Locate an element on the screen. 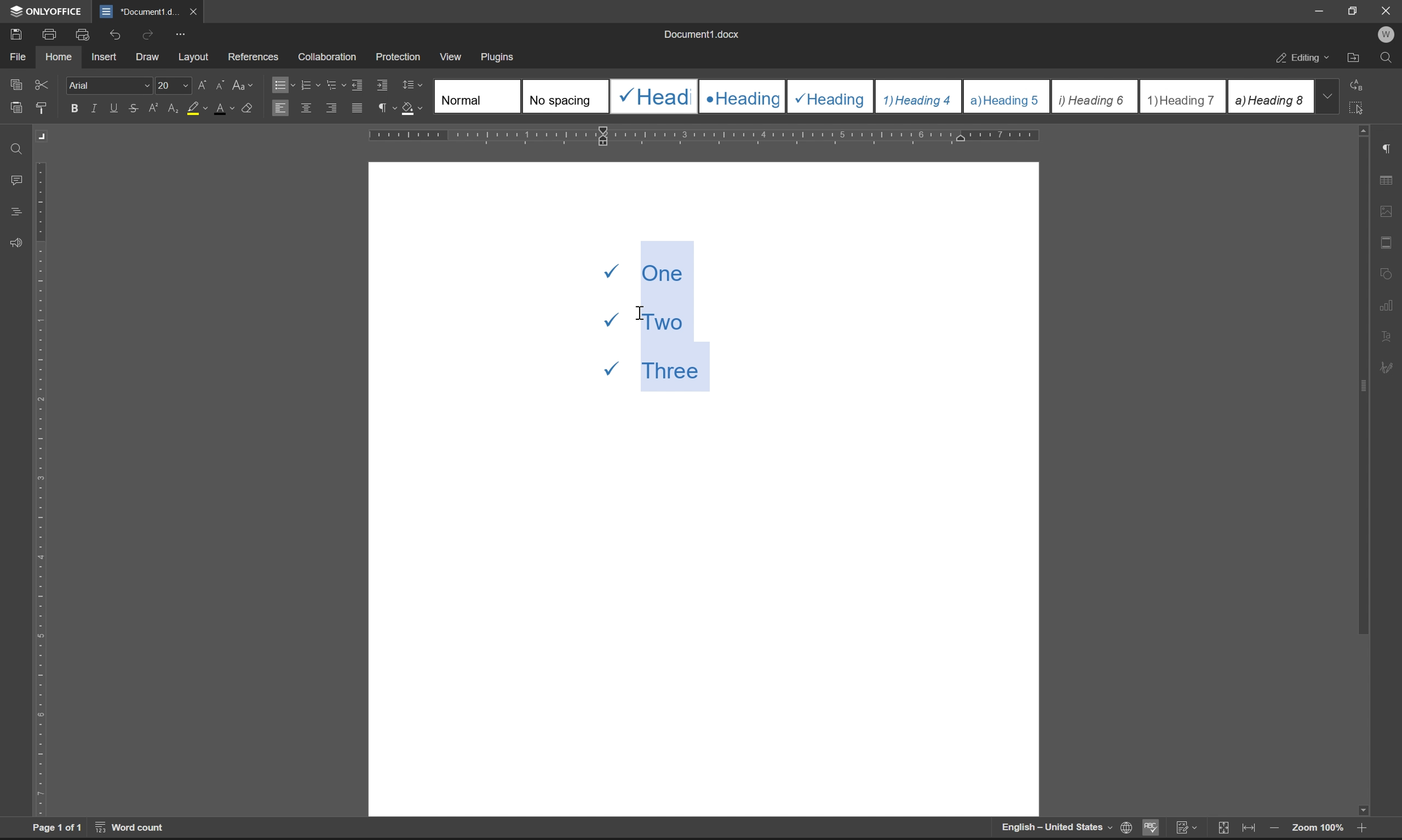 Image resolution: width=1402 pixels, height=840 pixels. image settings is located at coordinates (1386, 208).